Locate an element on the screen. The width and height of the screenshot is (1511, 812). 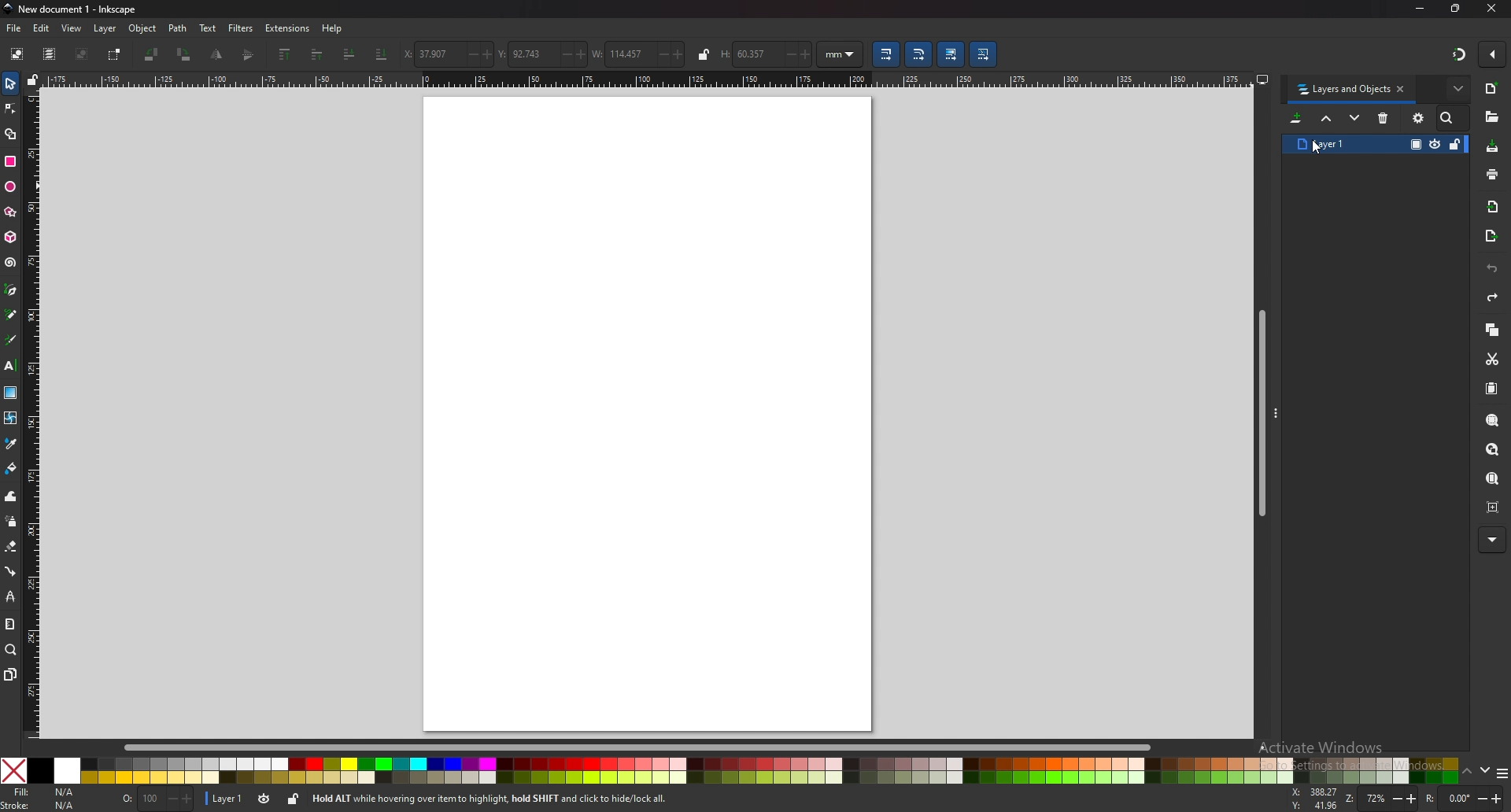
no color is located at coordinates (13, 770).